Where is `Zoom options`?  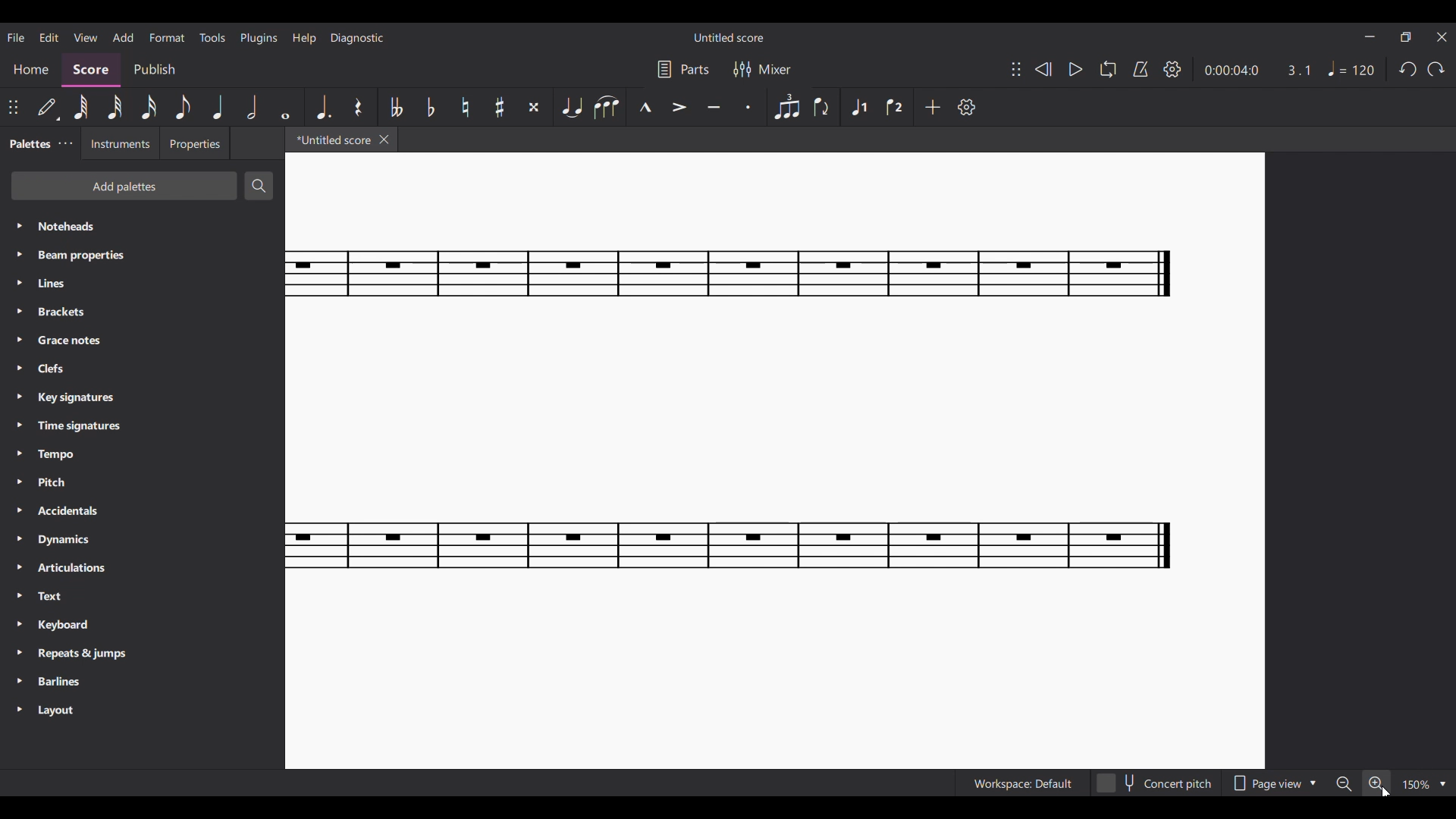 Zoom options is located at coordinates (1439, 784).